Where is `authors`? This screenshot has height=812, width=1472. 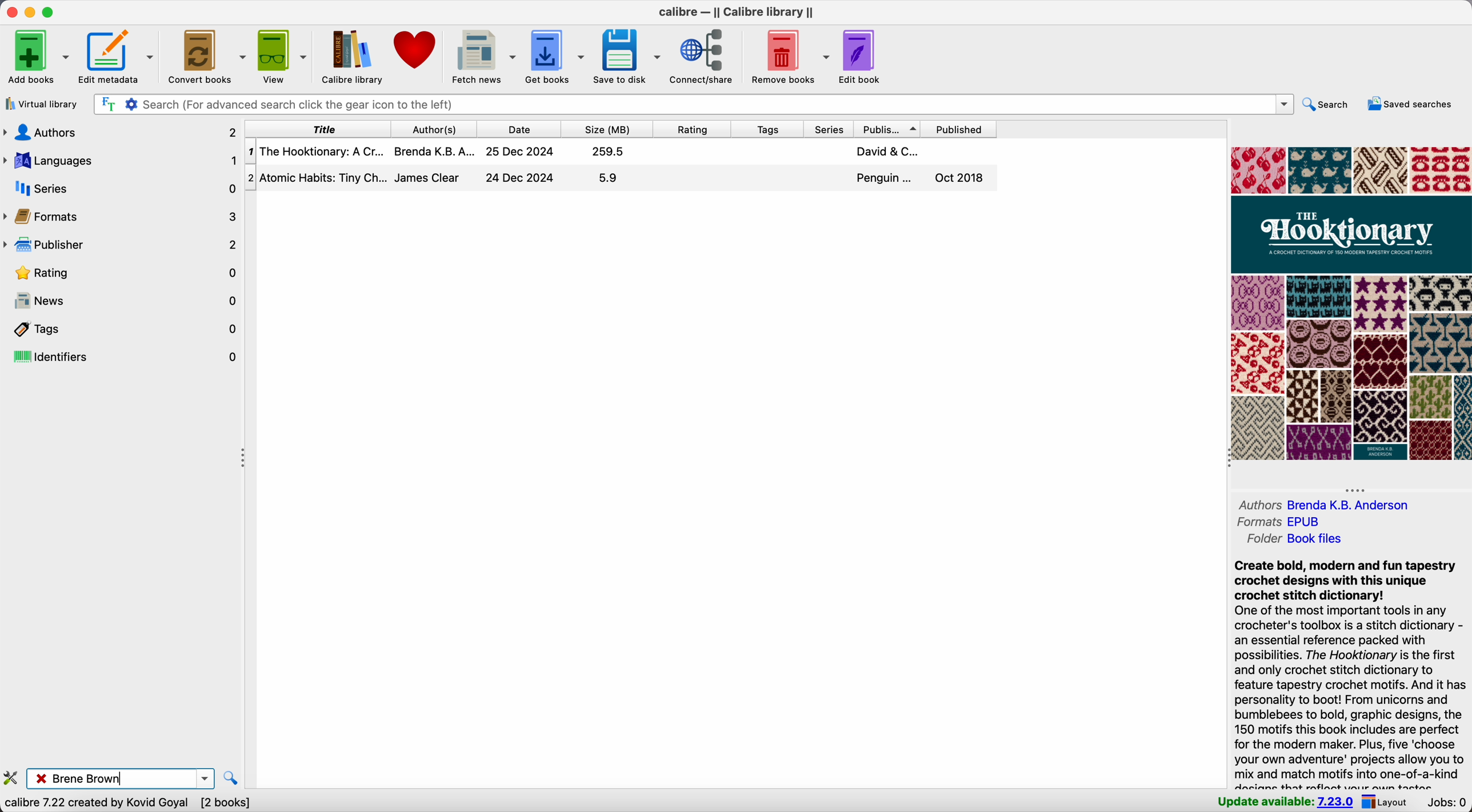 authors is located at coordinates (1327, 503).